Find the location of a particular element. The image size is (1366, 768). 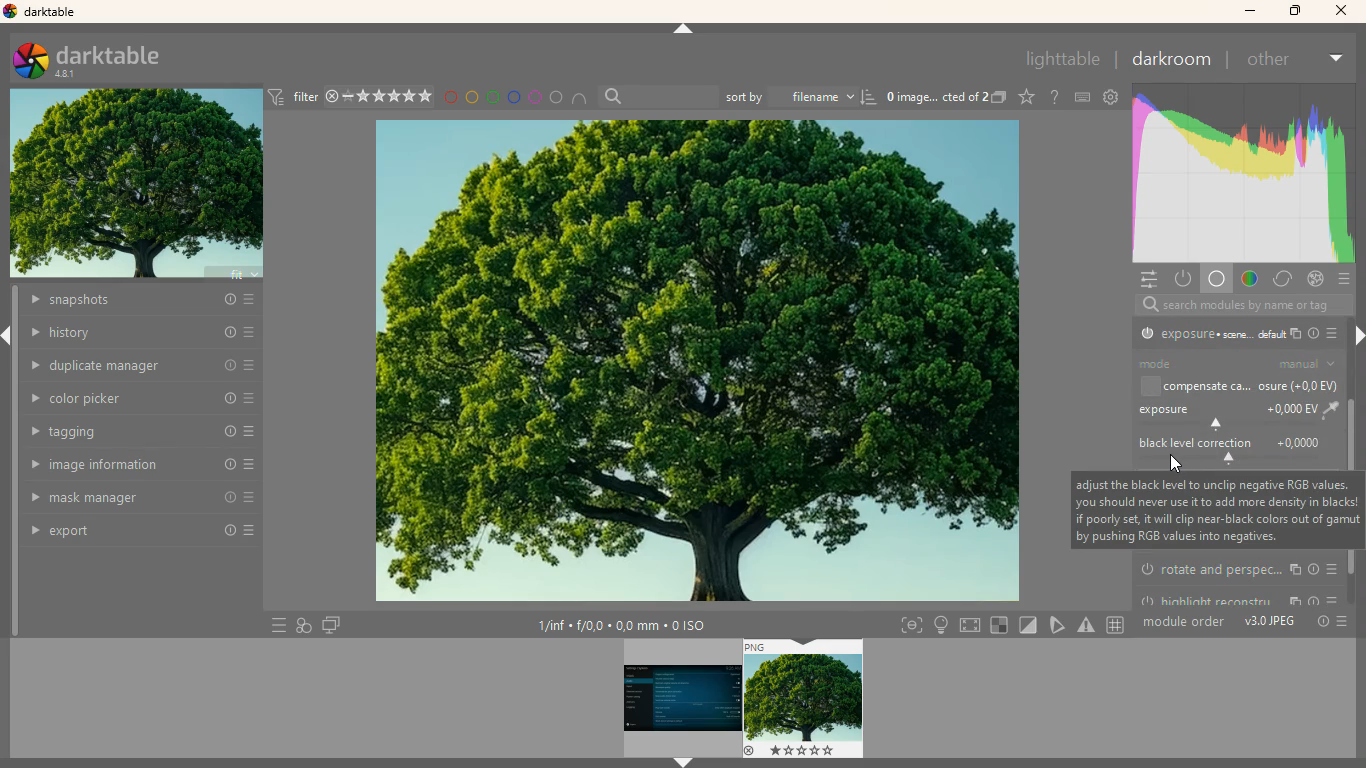

image is located at coordinates (698, 361).